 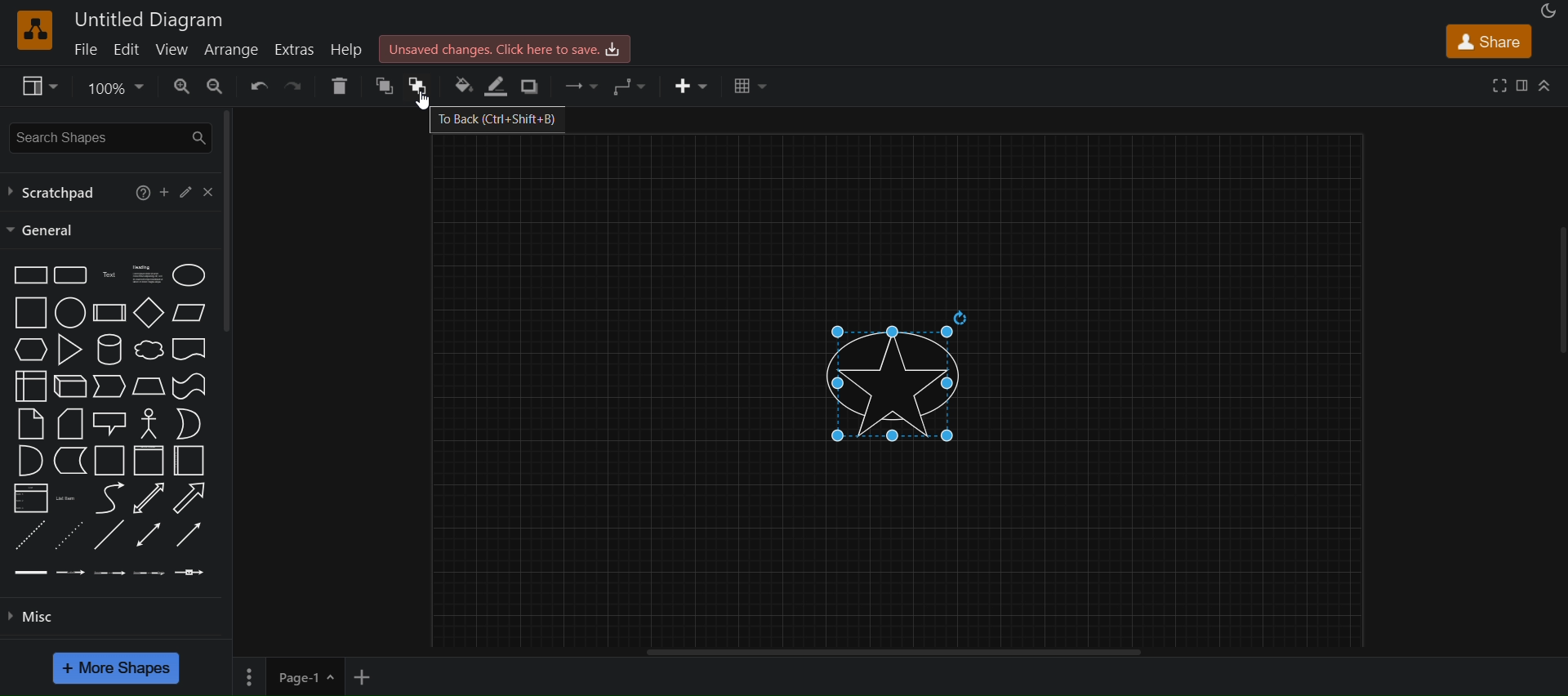 I want to click on help, so click(x=349, y=51).